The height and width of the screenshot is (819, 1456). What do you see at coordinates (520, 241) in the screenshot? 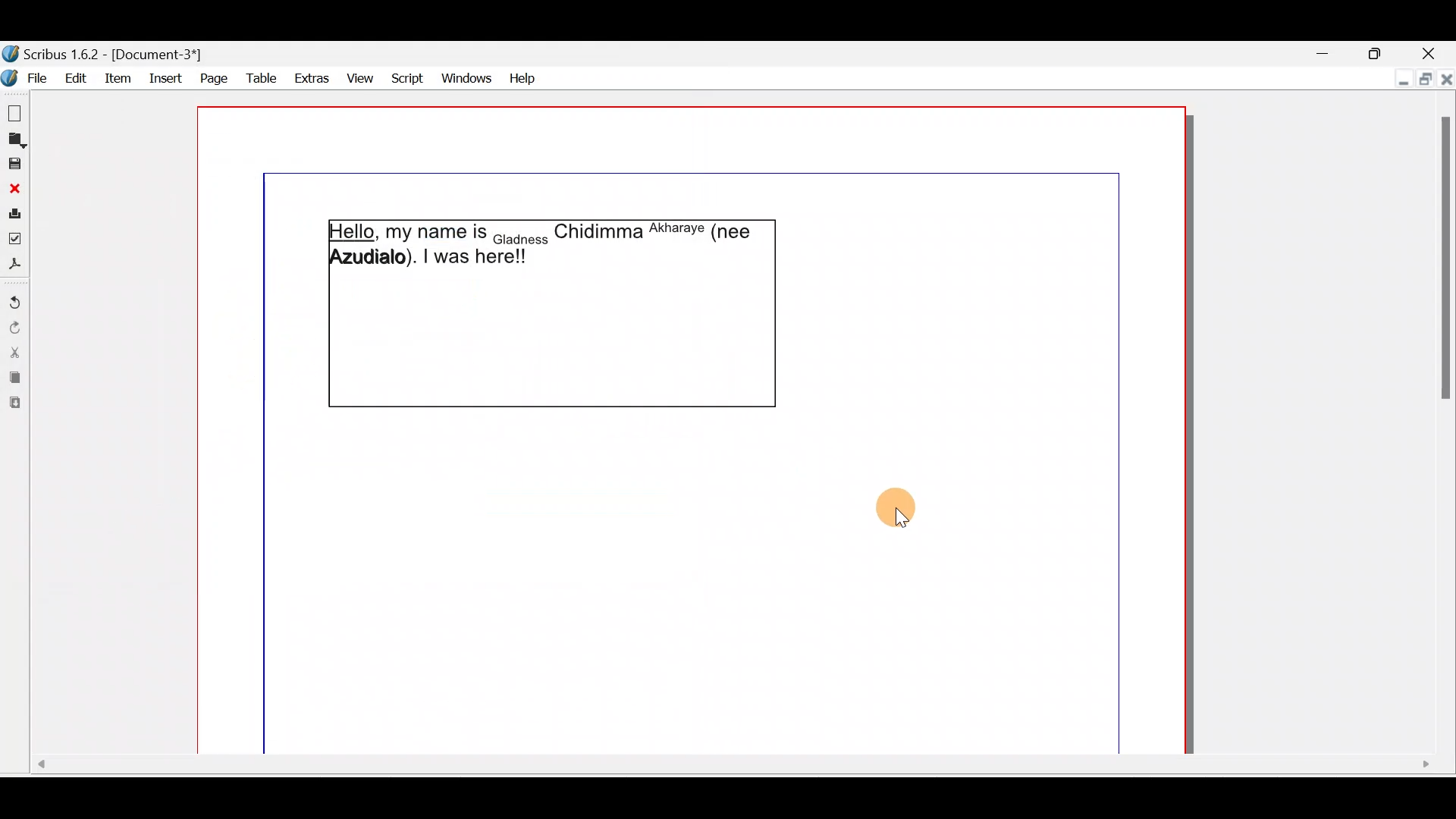
I see `Gladness` at bounding box center [520, 241].